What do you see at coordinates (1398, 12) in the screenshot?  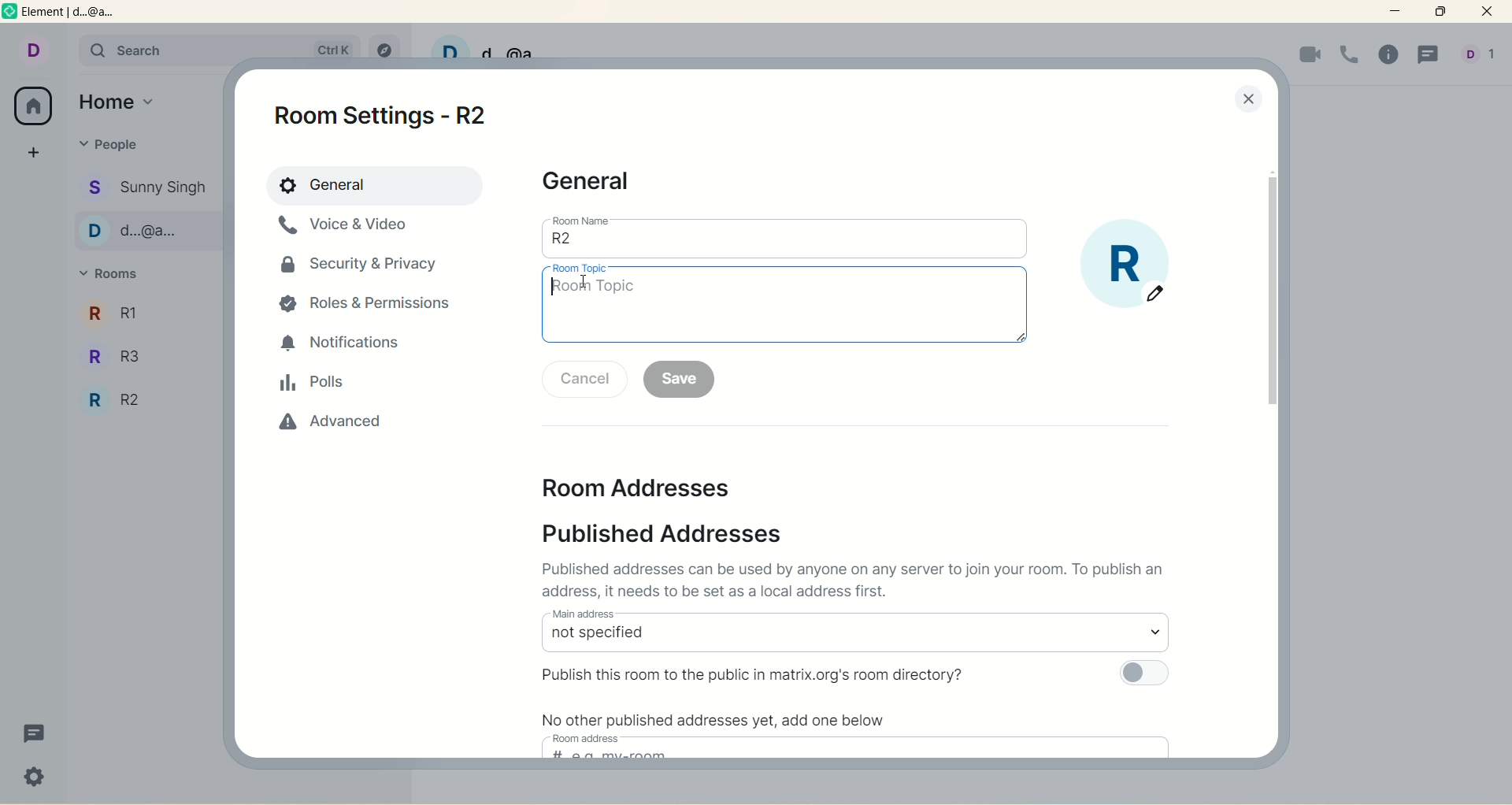 I see `minimize` at bounding box center [1398, 12].